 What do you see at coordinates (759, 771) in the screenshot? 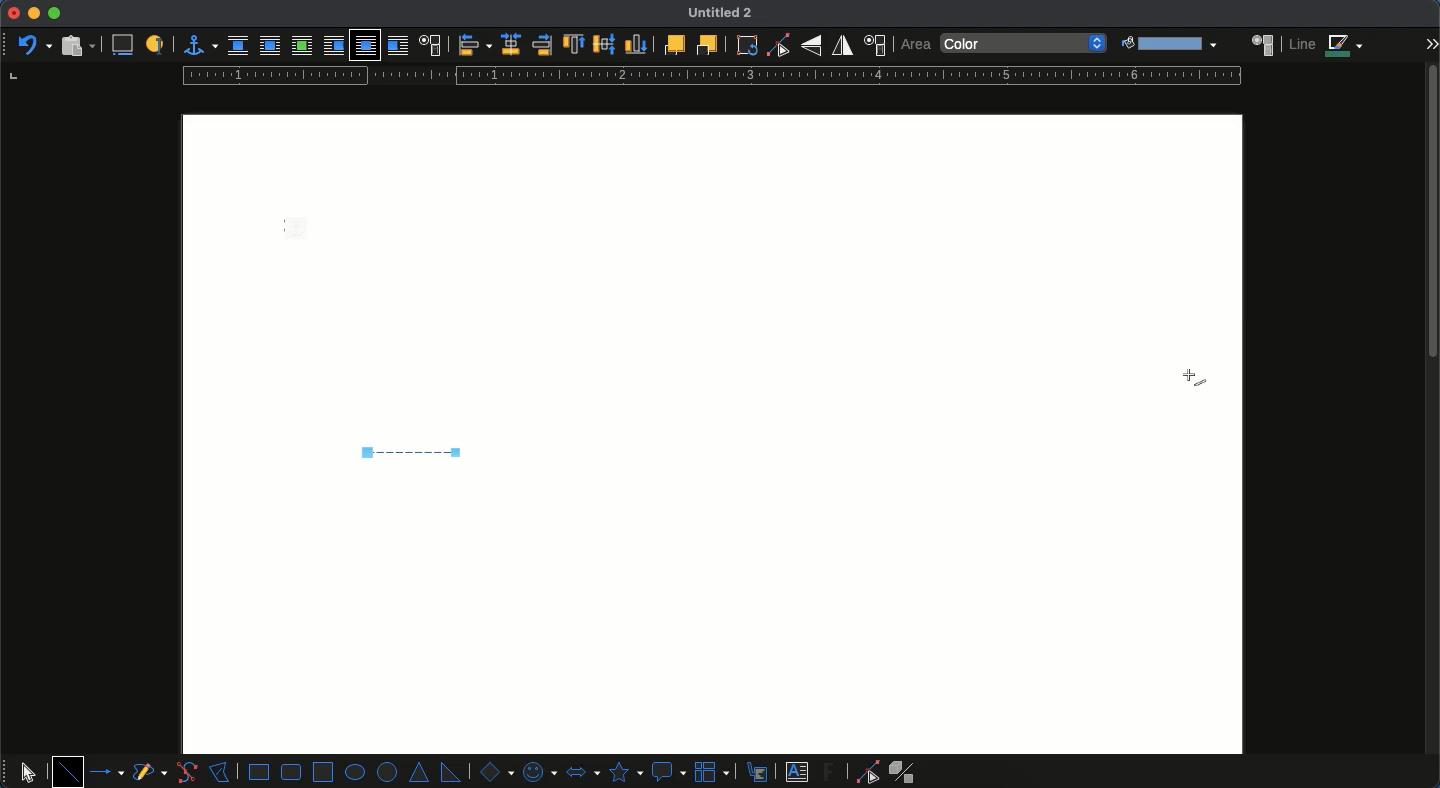
I see `callouts` at bounding box center [759, 771].